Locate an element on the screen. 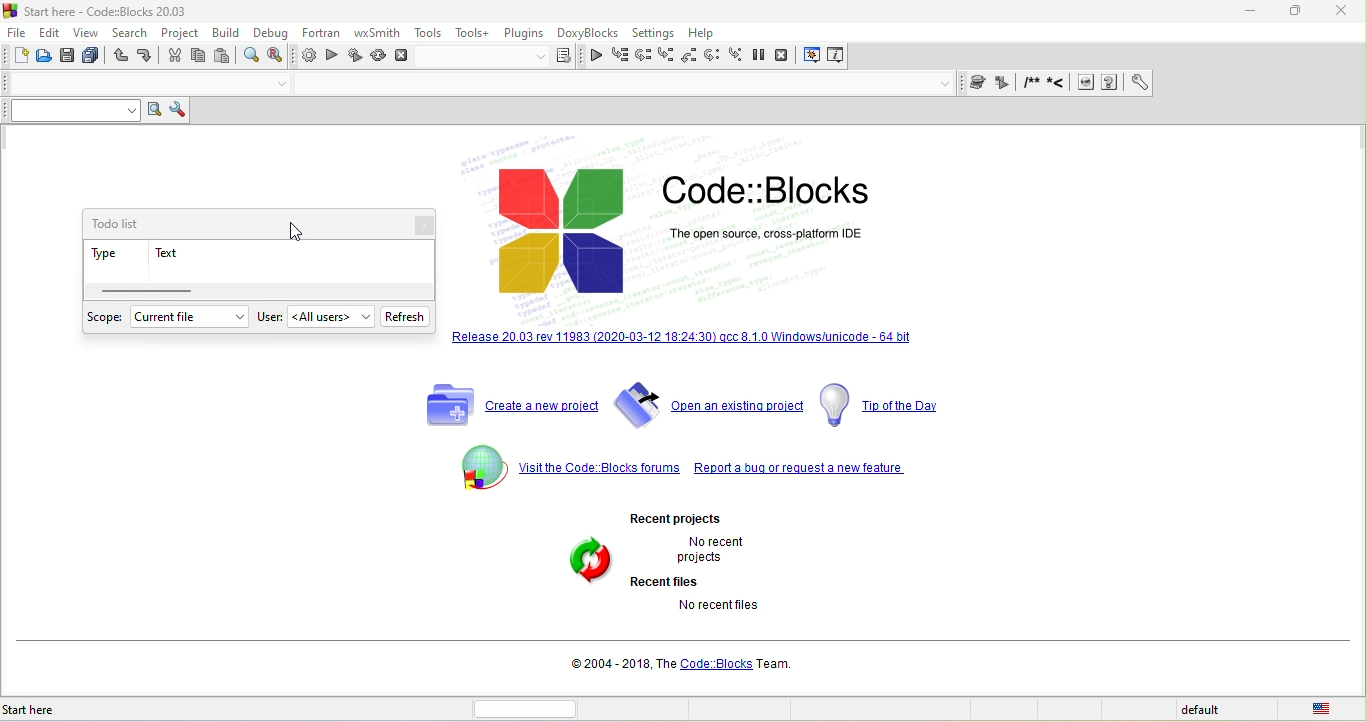 Image resolution: width=1366 pixels, height=722 pixels. debugging window is located at coordinates (813, 56).